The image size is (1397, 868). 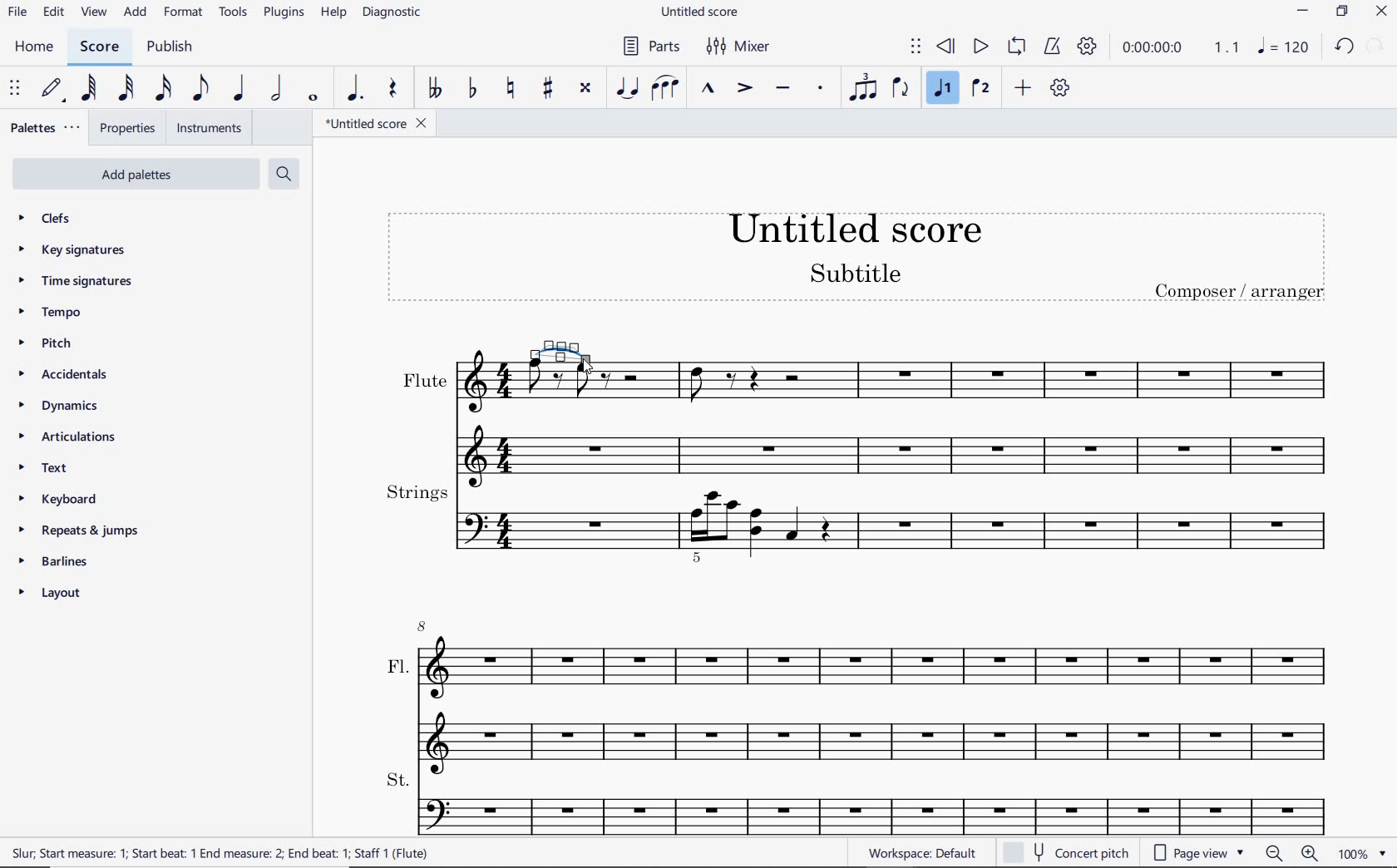 What do you see at coordinates (701, 12) in the screenshot?
I see `file name` at bounding box center [701, 12].